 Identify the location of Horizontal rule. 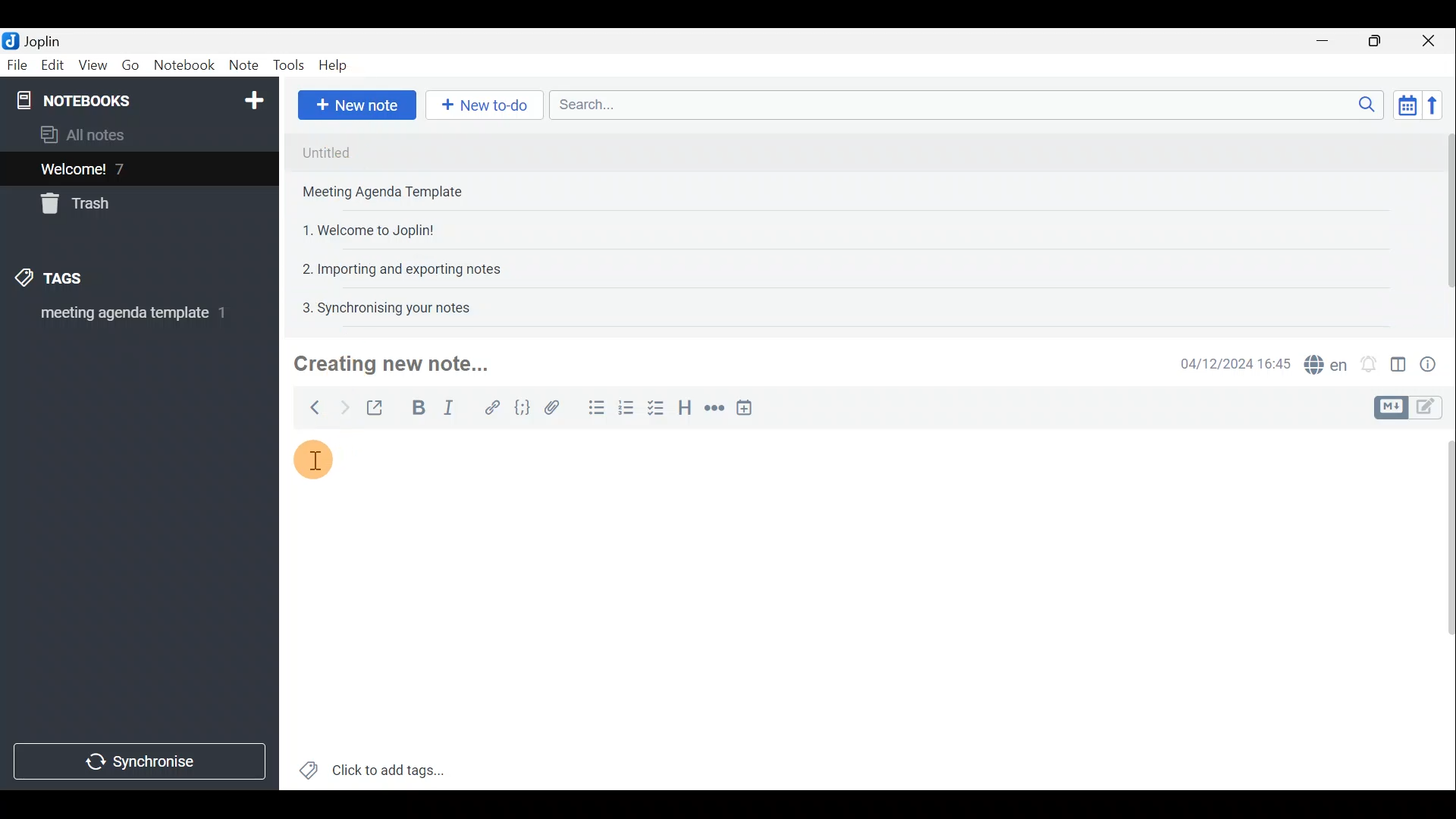
(712, 408).